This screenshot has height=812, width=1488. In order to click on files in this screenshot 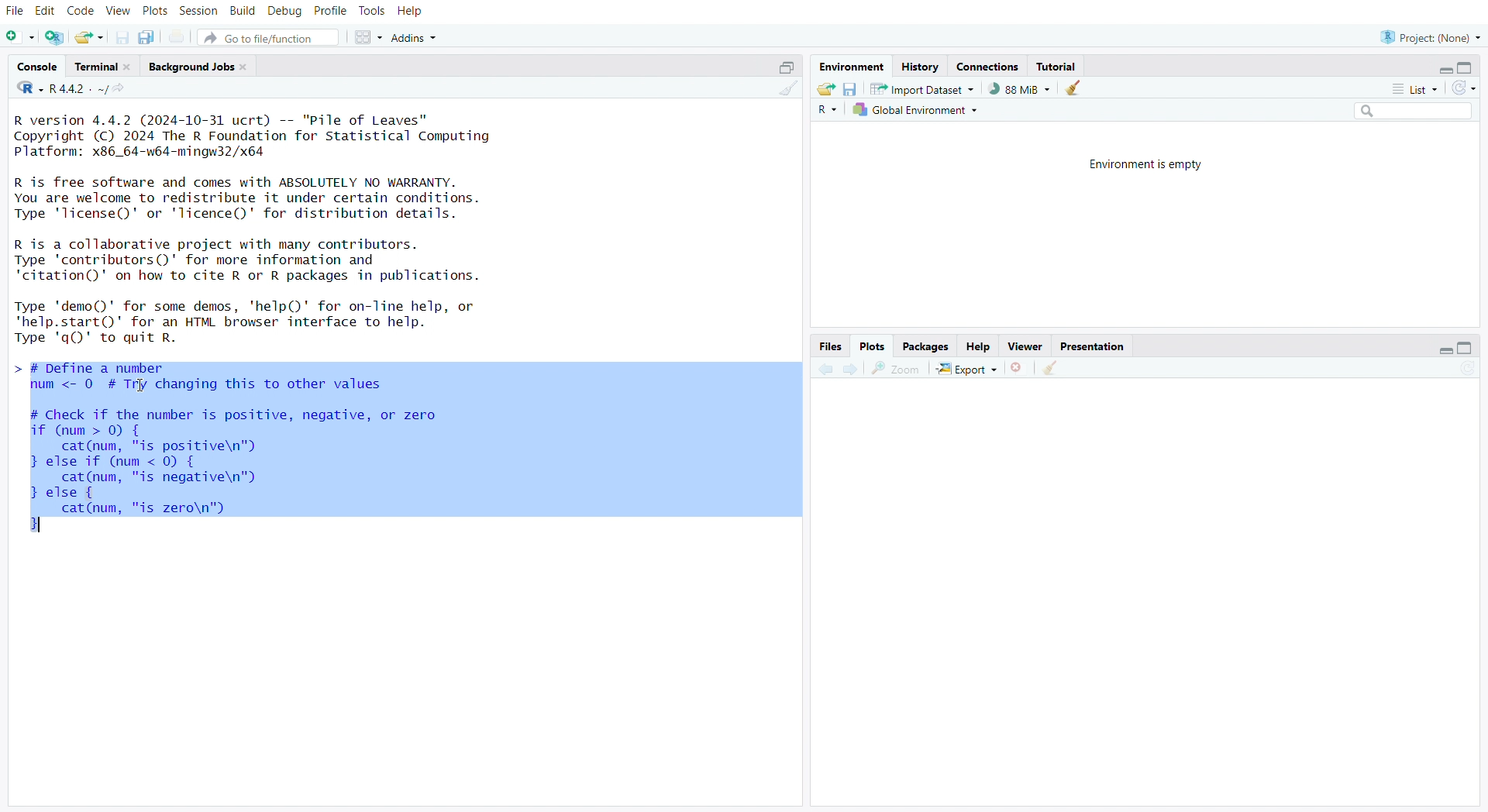, I will do `click(827, 346)`.